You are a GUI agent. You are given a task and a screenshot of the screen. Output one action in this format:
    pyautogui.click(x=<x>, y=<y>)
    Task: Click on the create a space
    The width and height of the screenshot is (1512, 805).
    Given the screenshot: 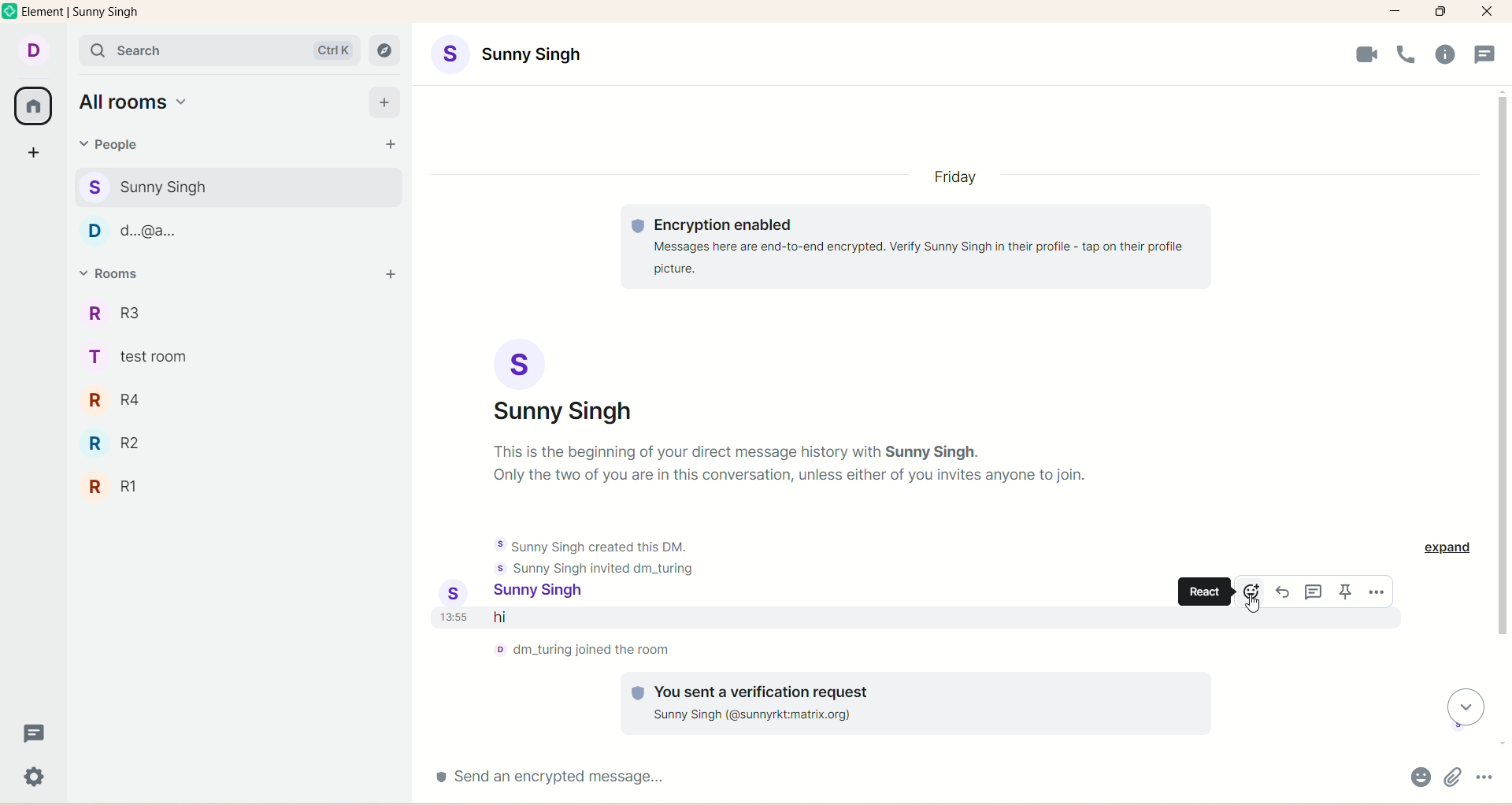 What is the action you would take?
    pyautogui.click(x=34, y=154)
    